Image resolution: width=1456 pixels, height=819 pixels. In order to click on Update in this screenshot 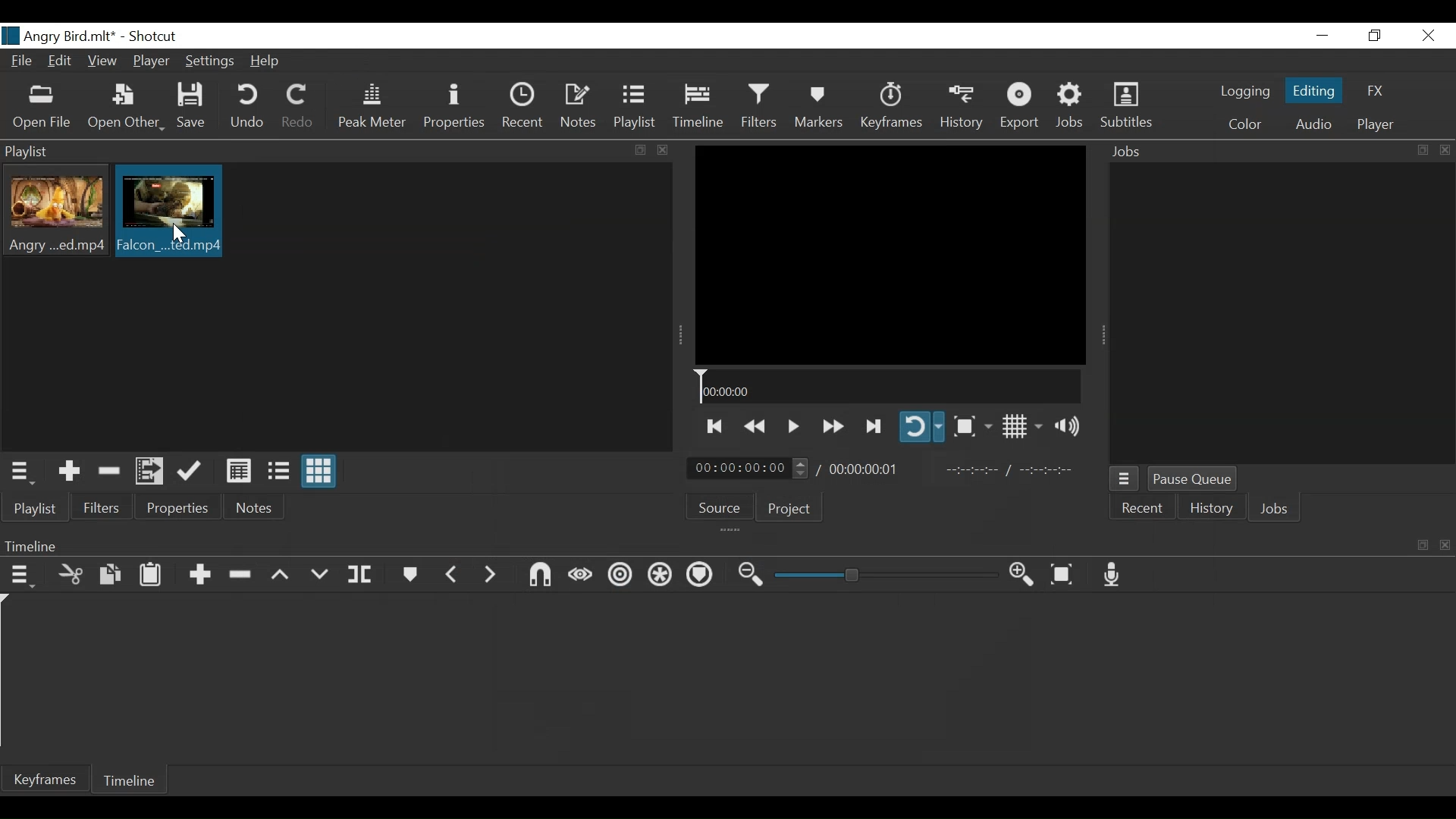, I will do `click(193, 472)`.